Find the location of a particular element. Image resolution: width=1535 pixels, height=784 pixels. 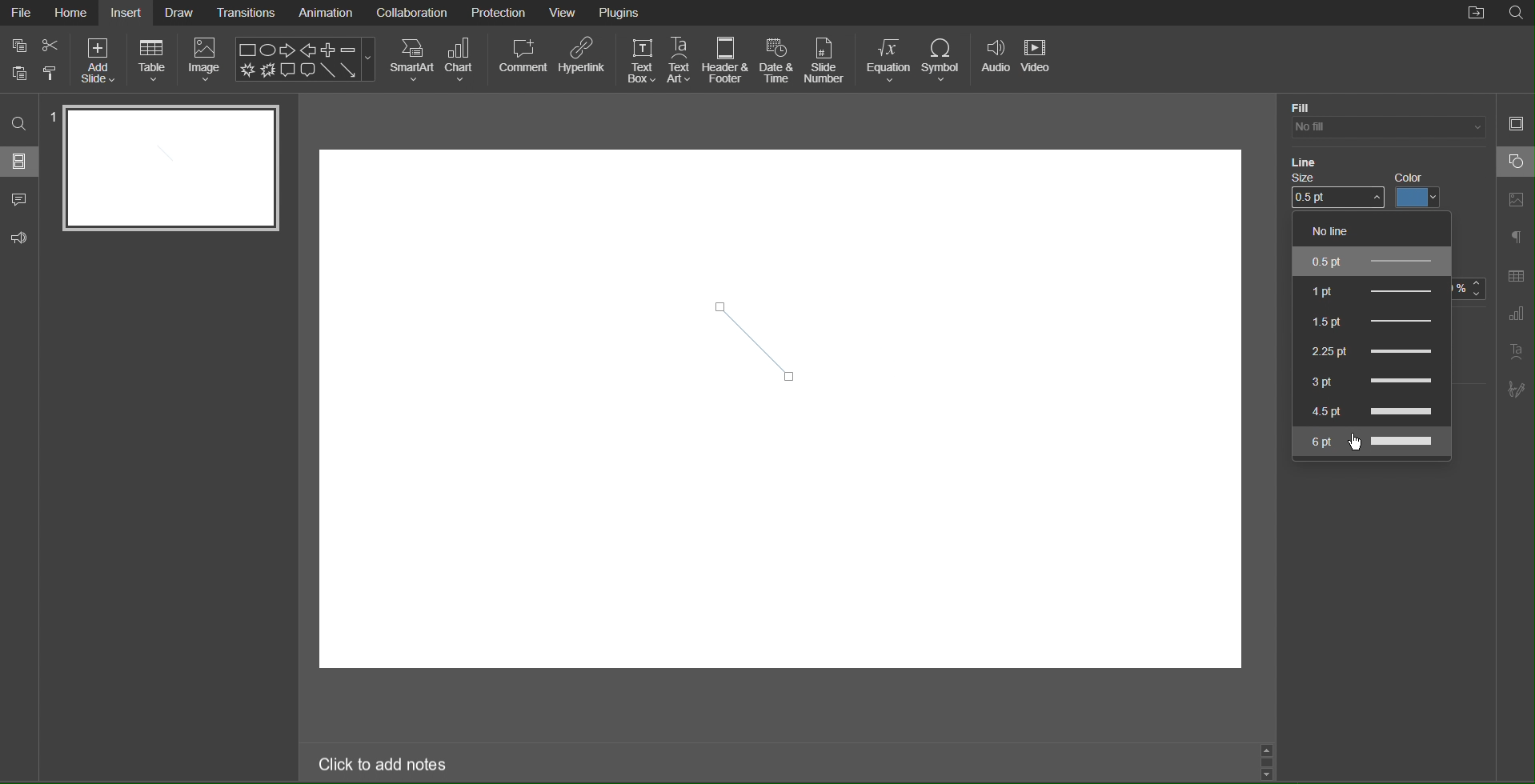

Insert is located at coordinates (126, 12).